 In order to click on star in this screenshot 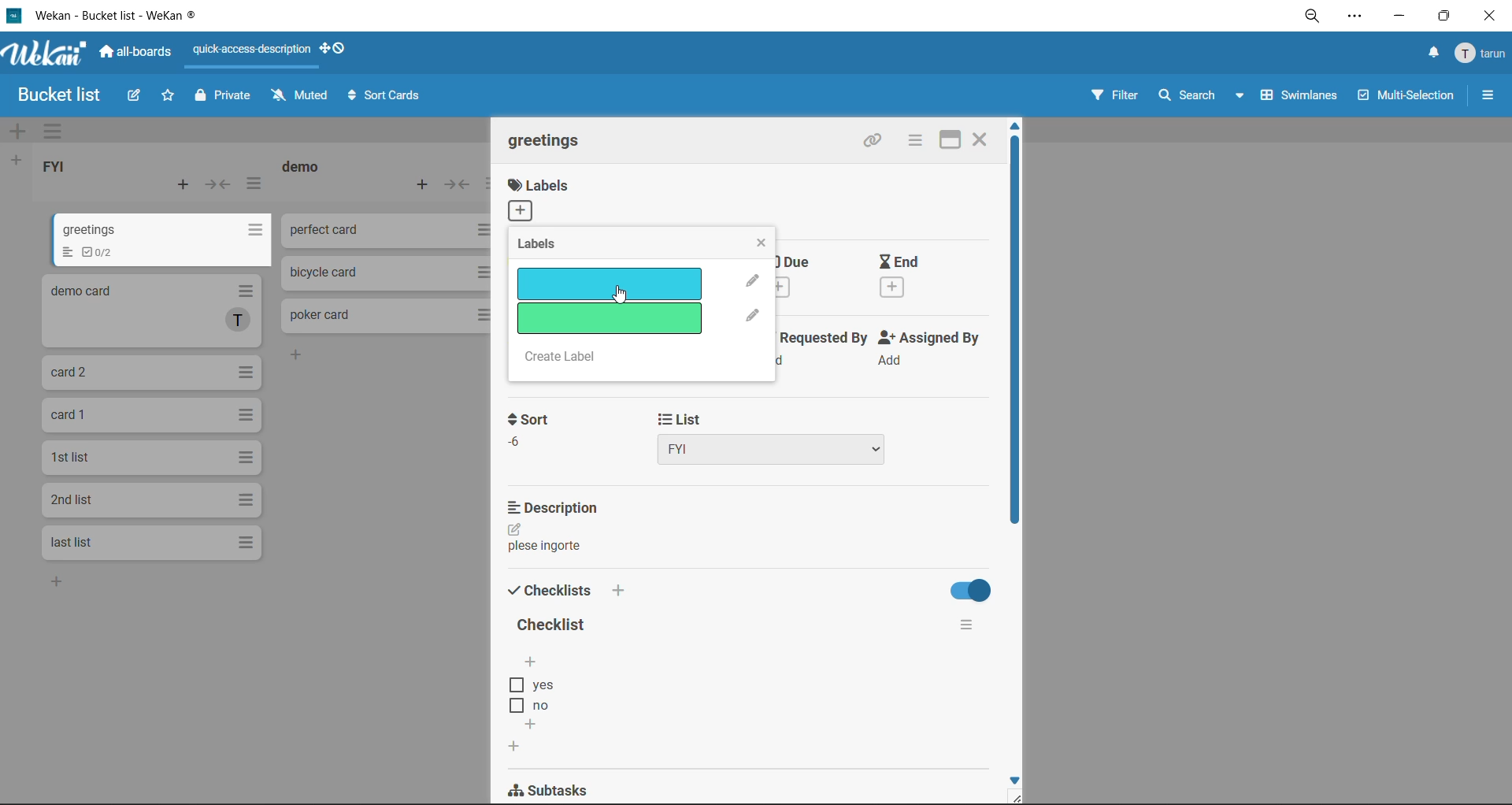, I will do `click(169, 98)`.